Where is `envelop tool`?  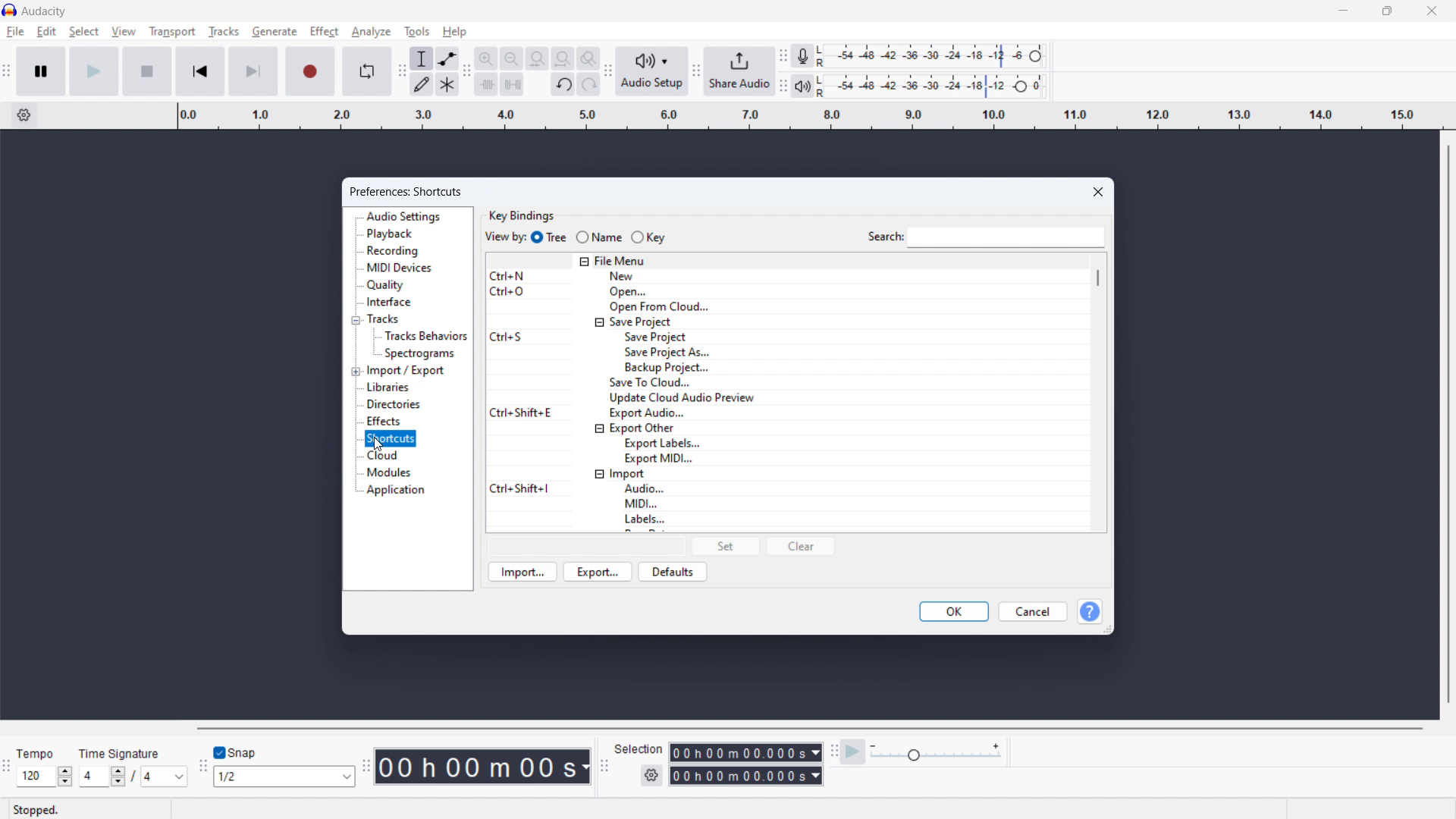
envelop tool is located at coordinates (447, 59).